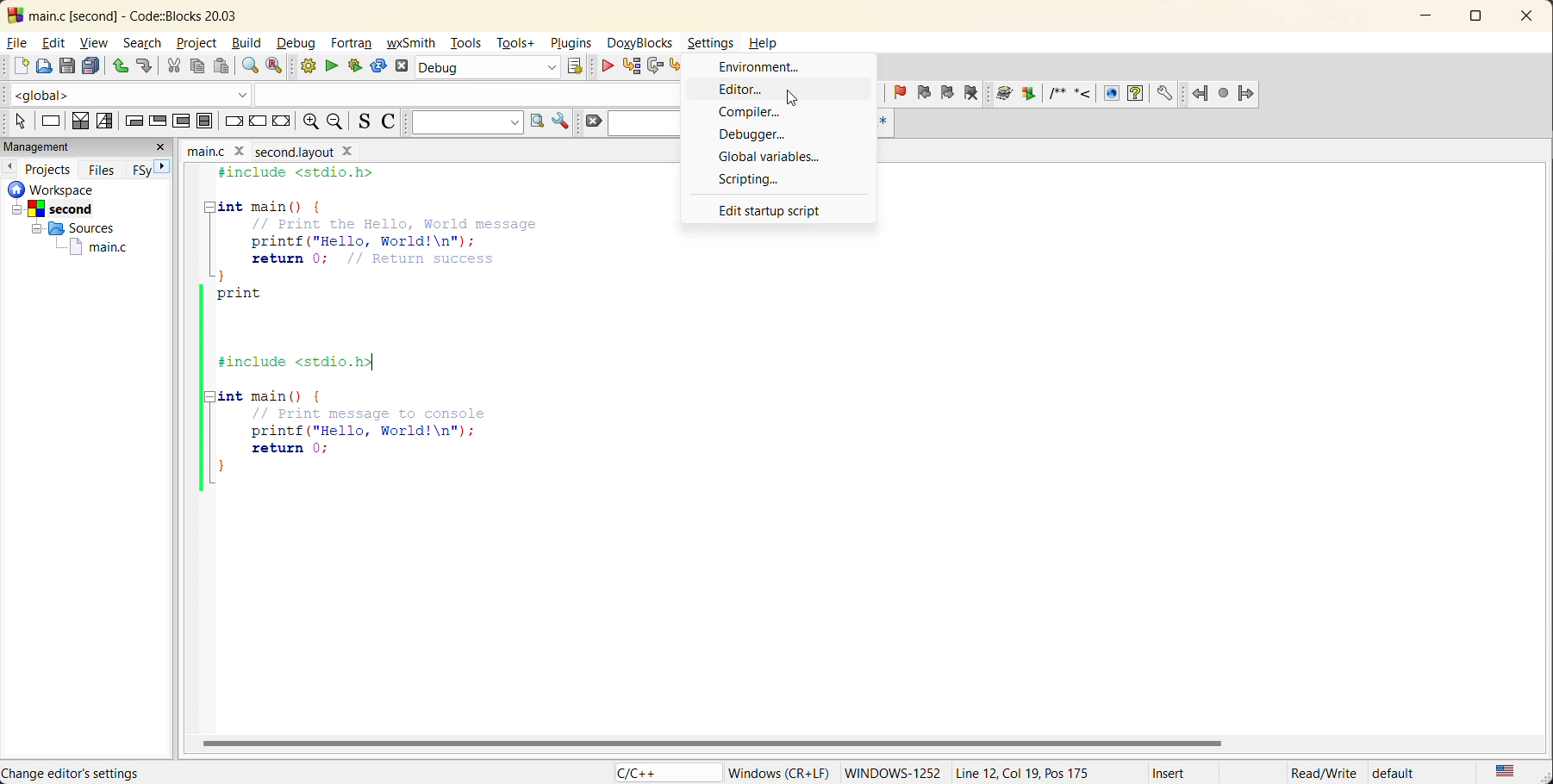 This screenshot has height=784, width=1553. Describe the element at coordinates (1476, 19) in the screenshot. I see `maximize` at that location.